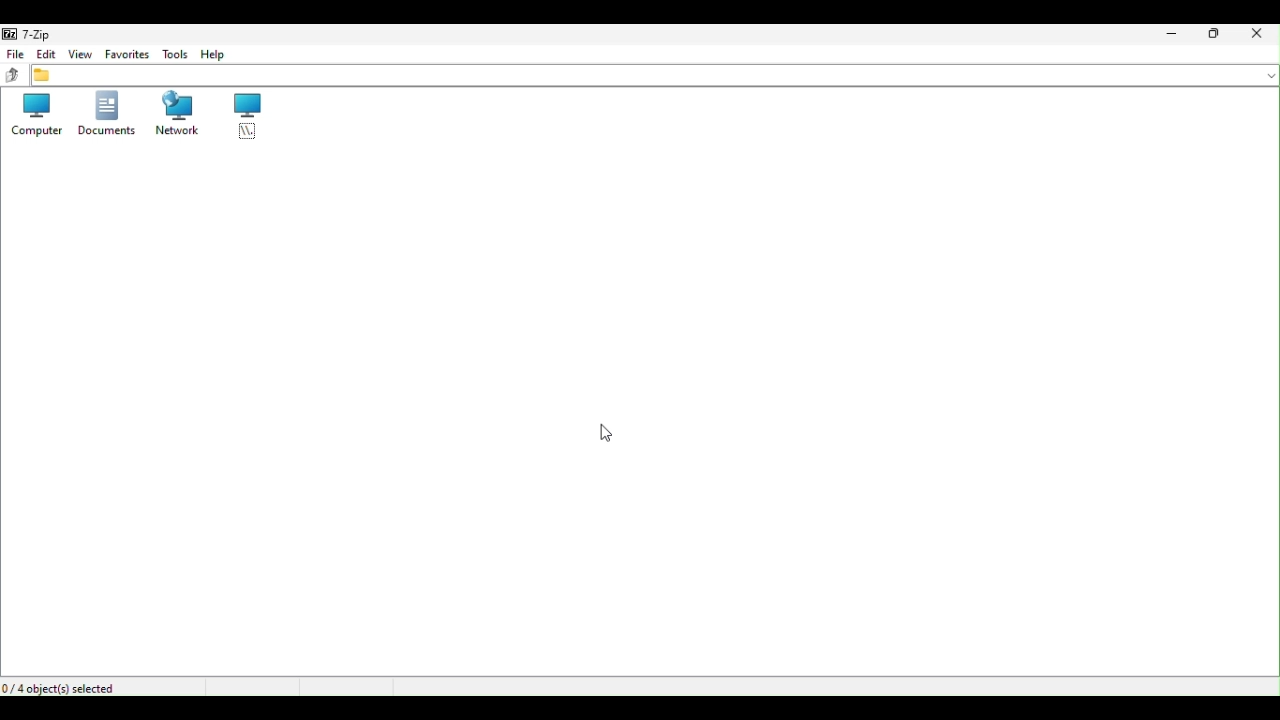  What do you see at coordinates (609, 432) in the screenshot?
I see `Mouse` at bounding box center [609, 432].